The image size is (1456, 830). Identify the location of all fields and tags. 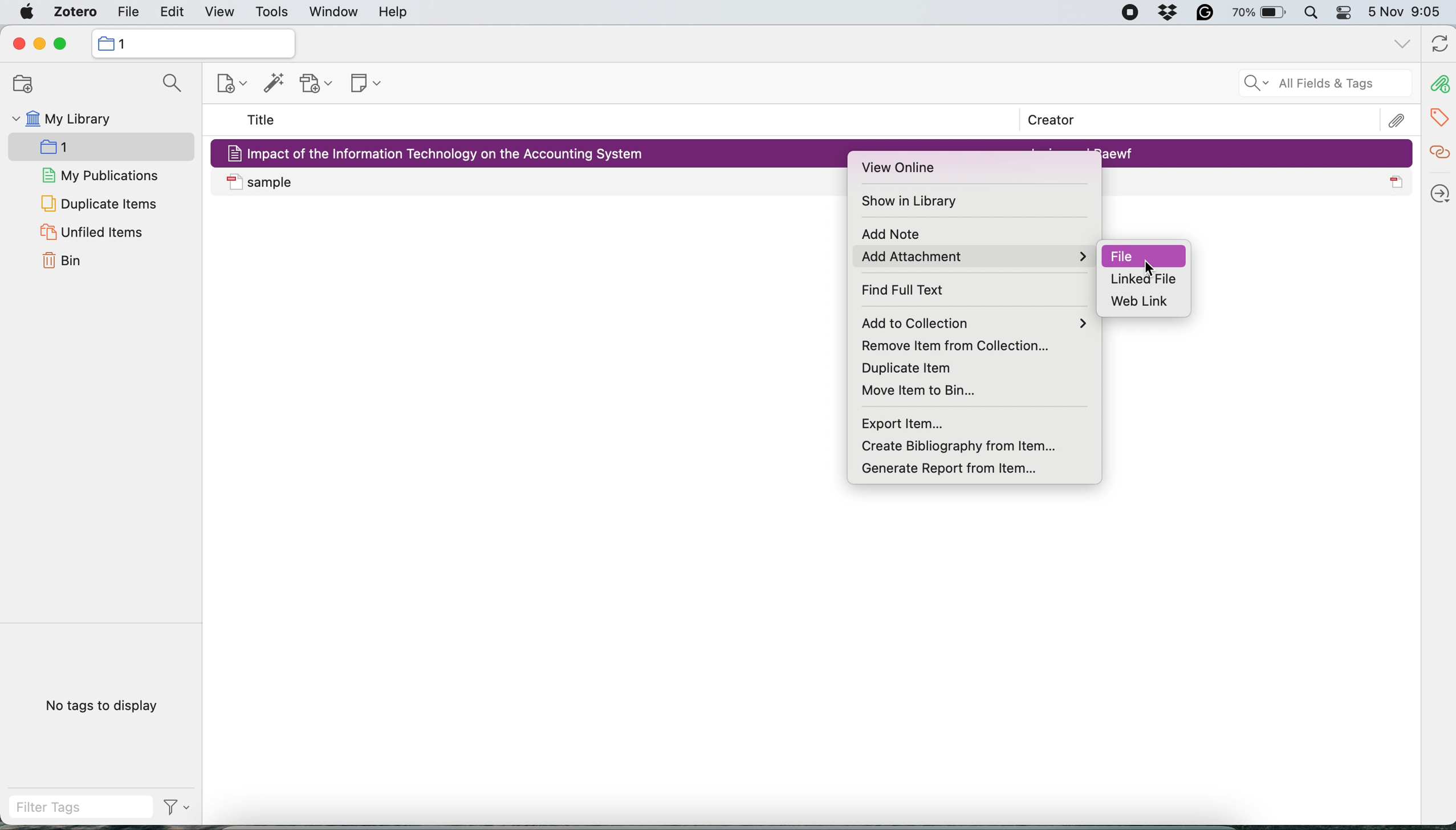
(1312, 84).